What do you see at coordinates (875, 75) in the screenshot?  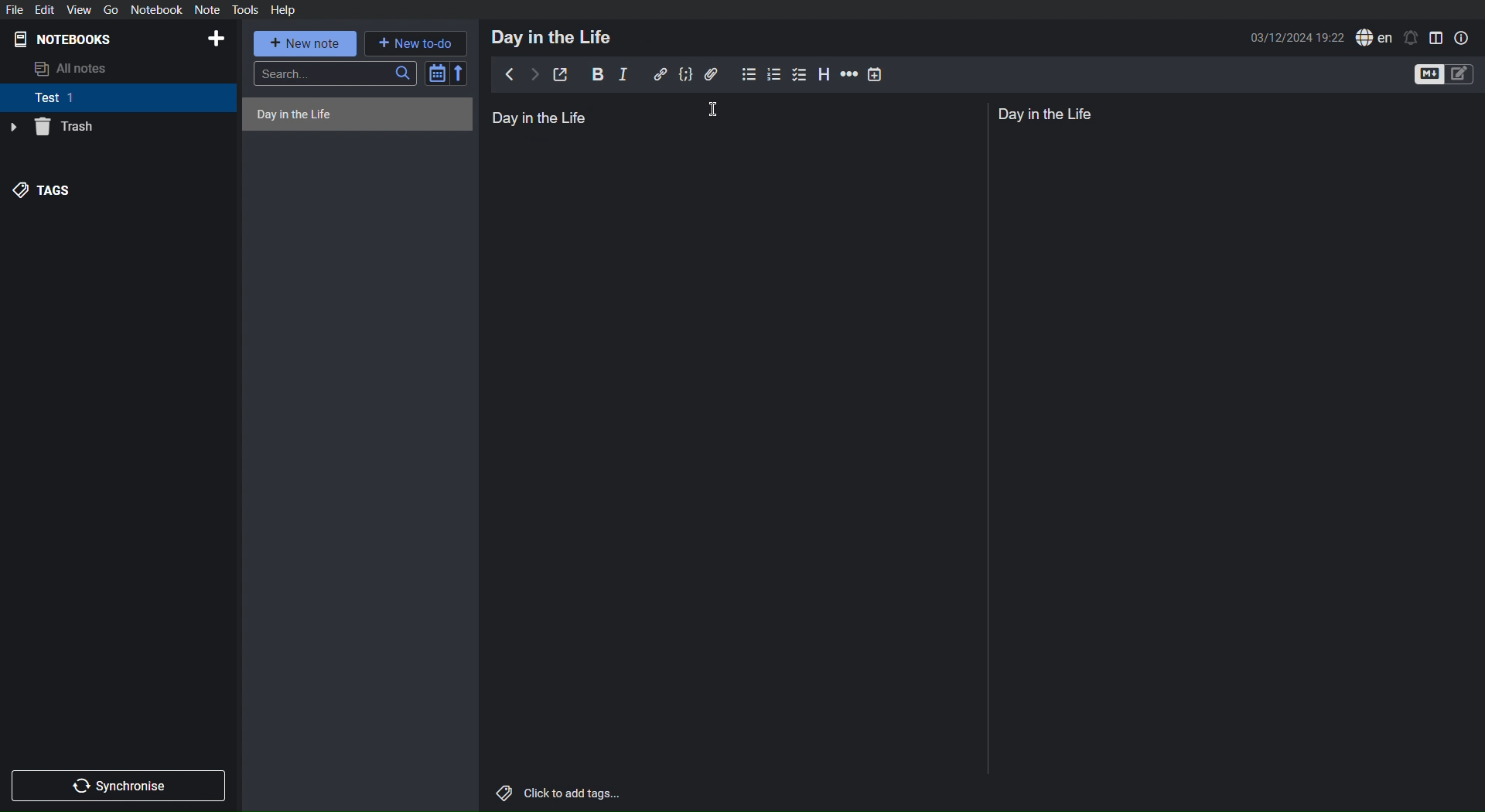 I see `Insert Time` at bounding box center [875, 75].